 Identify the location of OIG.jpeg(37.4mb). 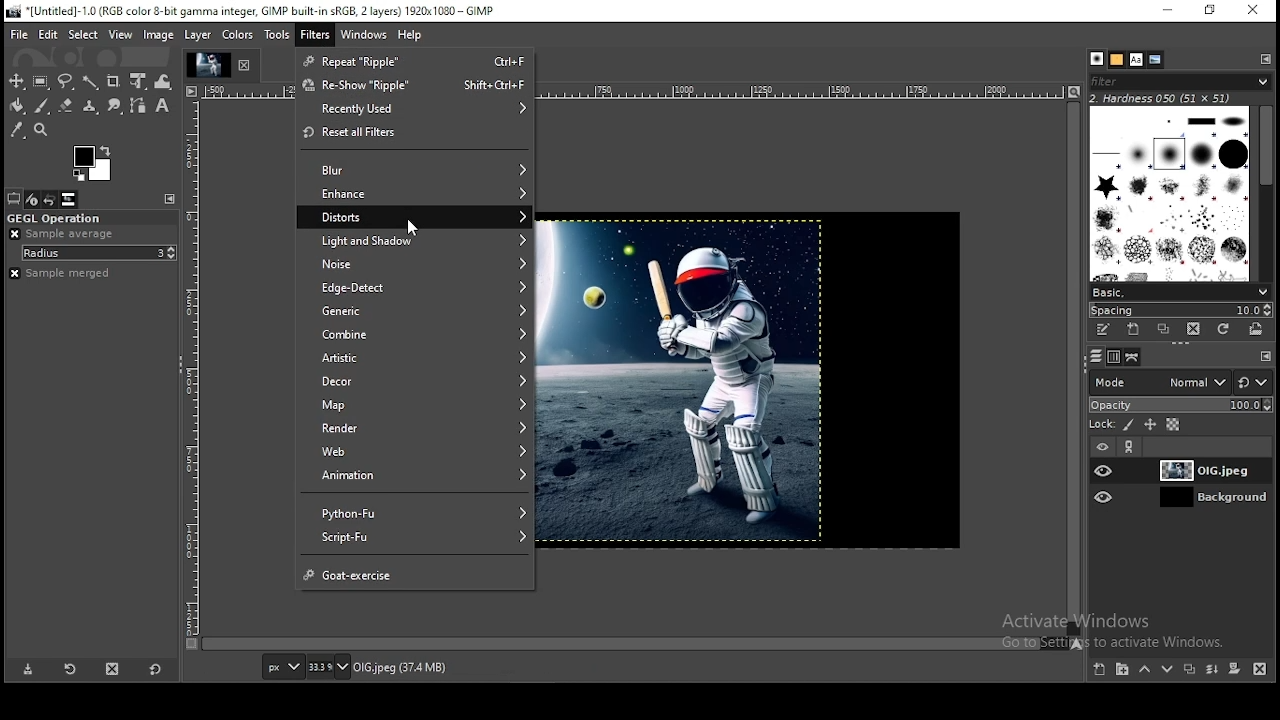
(399, 671).